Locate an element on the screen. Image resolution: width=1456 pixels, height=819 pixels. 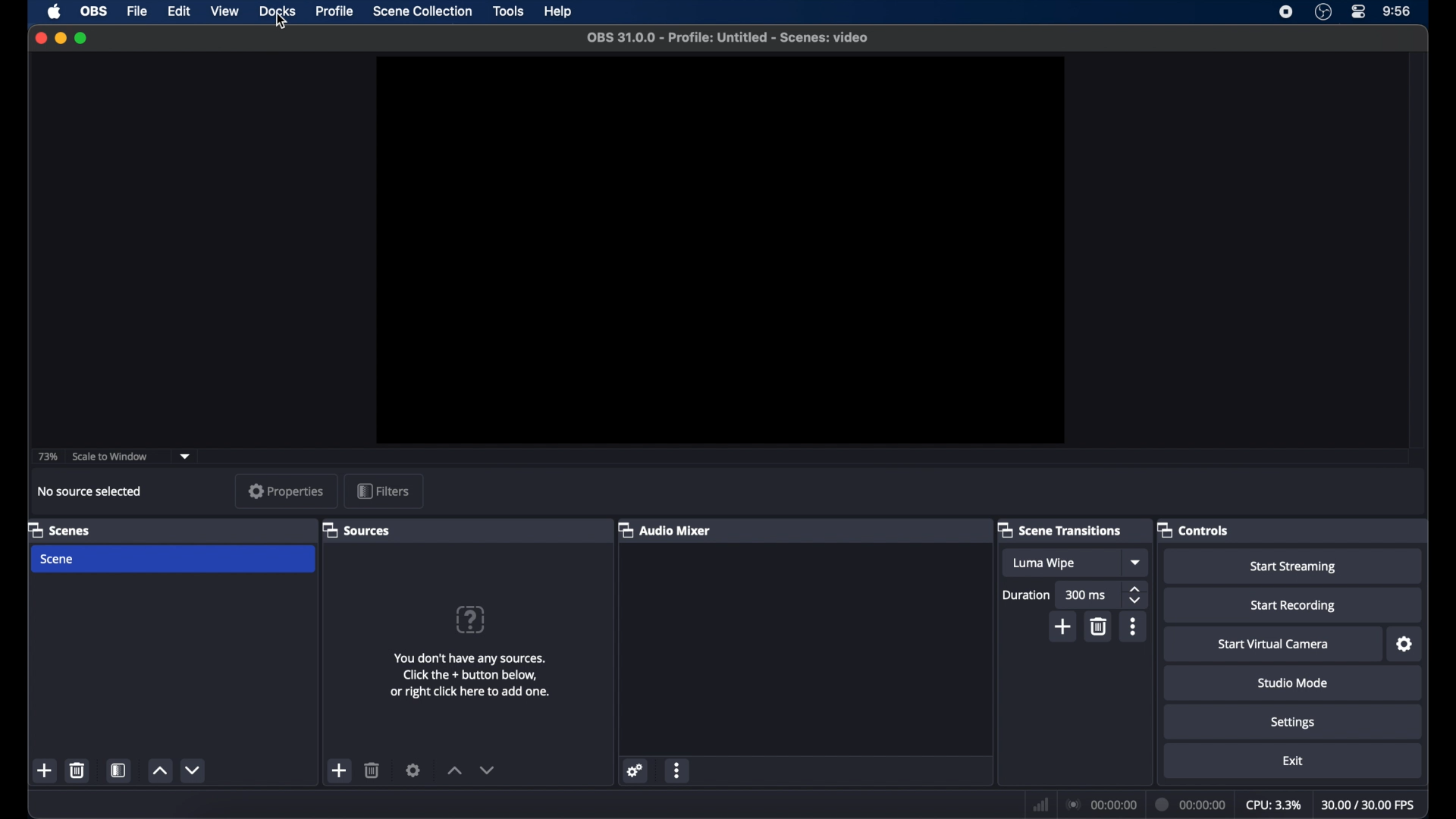
network is located at coordinates (1040, 805).